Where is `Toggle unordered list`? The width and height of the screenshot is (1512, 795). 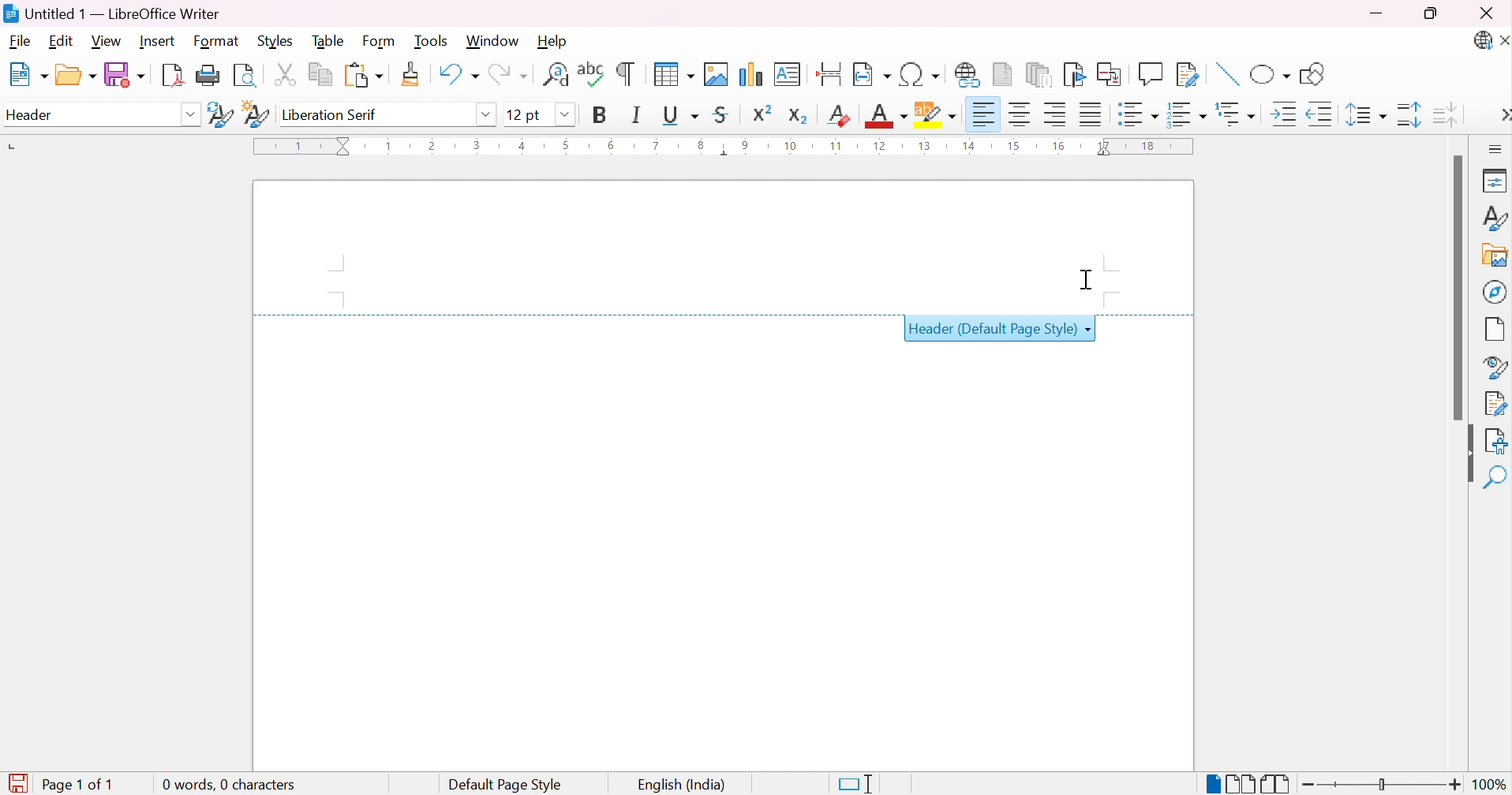
Toggle unordered list is located at coordinates (1139, 114).